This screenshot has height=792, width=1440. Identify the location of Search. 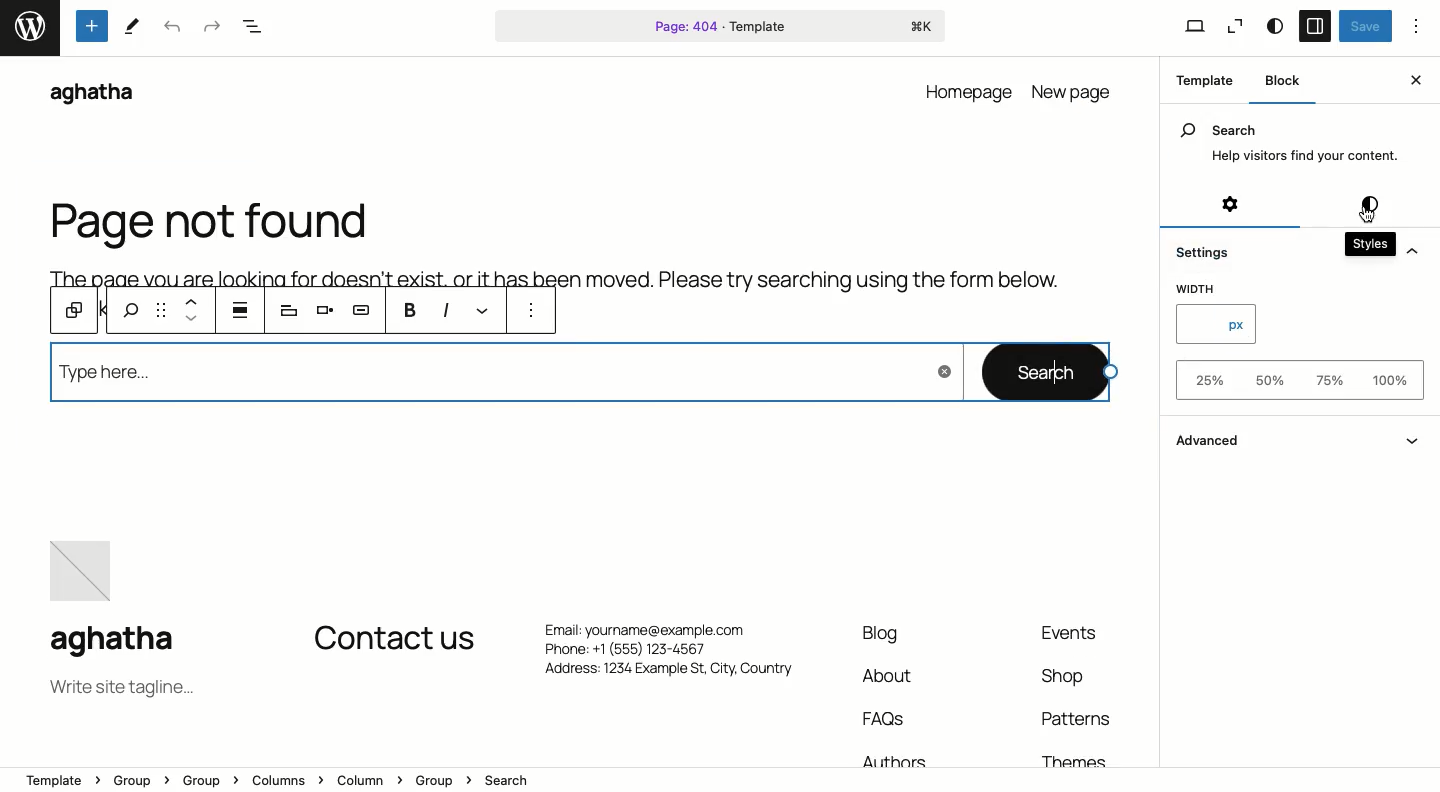
(1033, 371).